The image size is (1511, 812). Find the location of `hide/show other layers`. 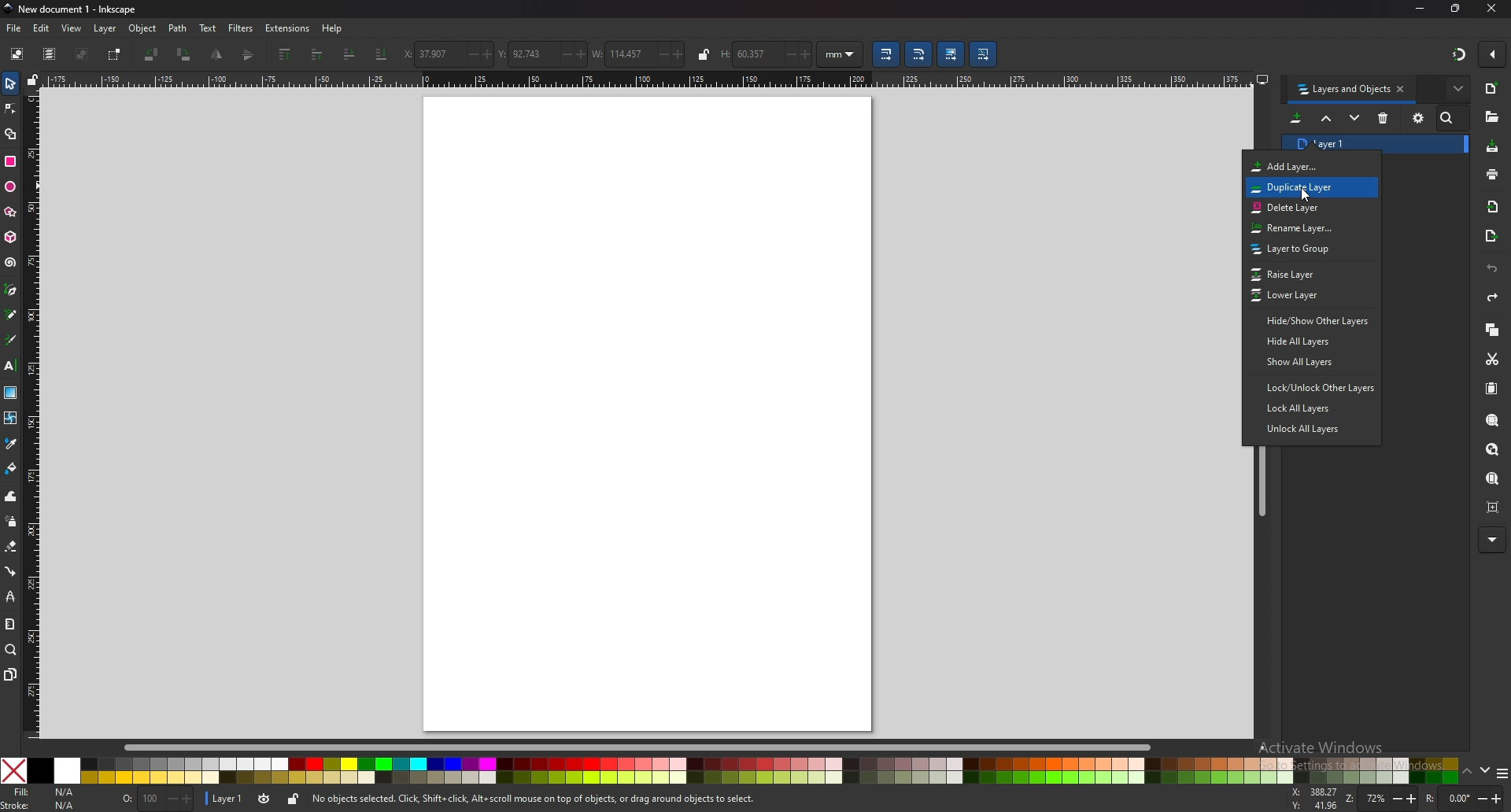

hide/show other layers is located at coordinates (1310, 320).